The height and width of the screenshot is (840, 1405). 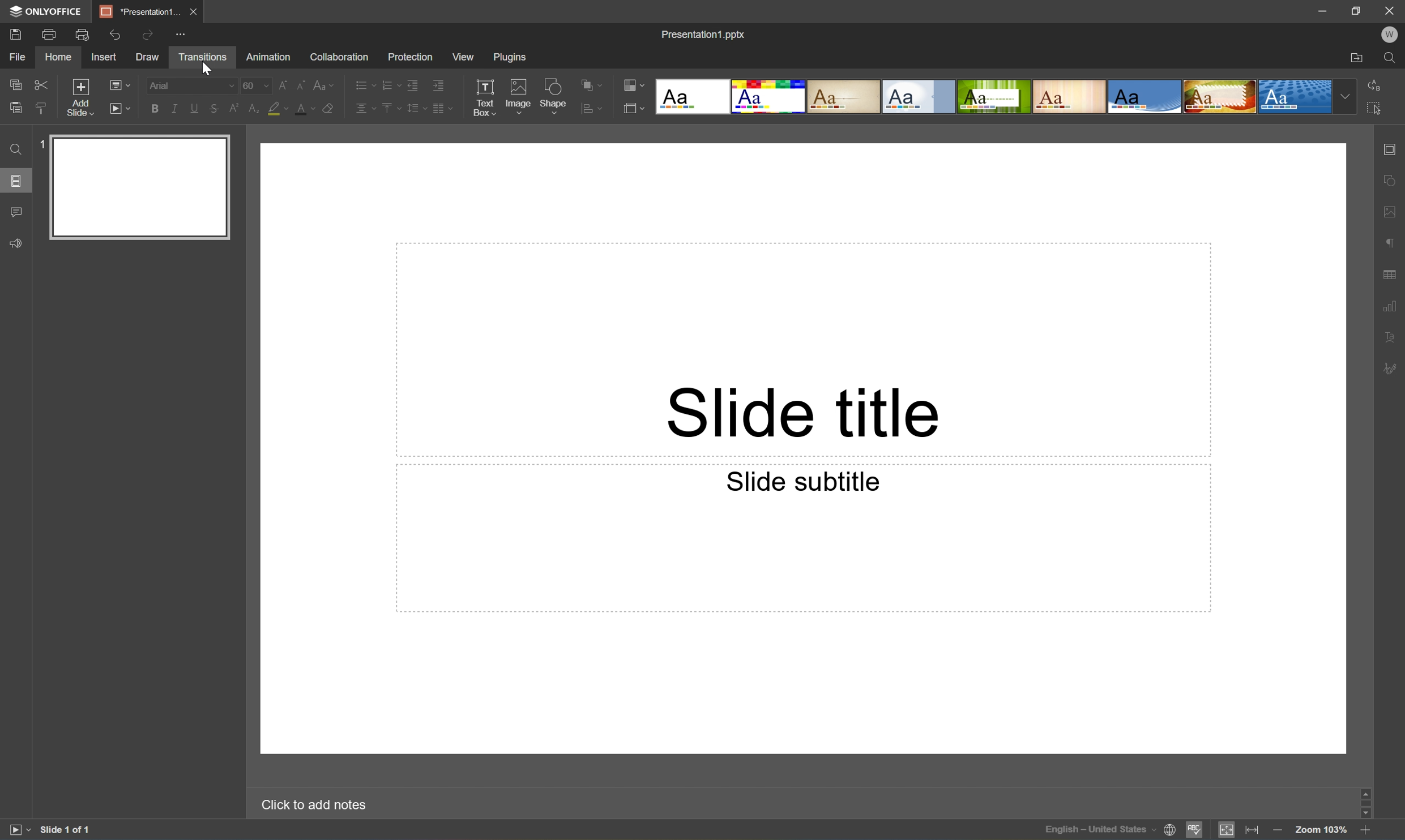 I want to click on Subscript, so click(x=253, y=108).